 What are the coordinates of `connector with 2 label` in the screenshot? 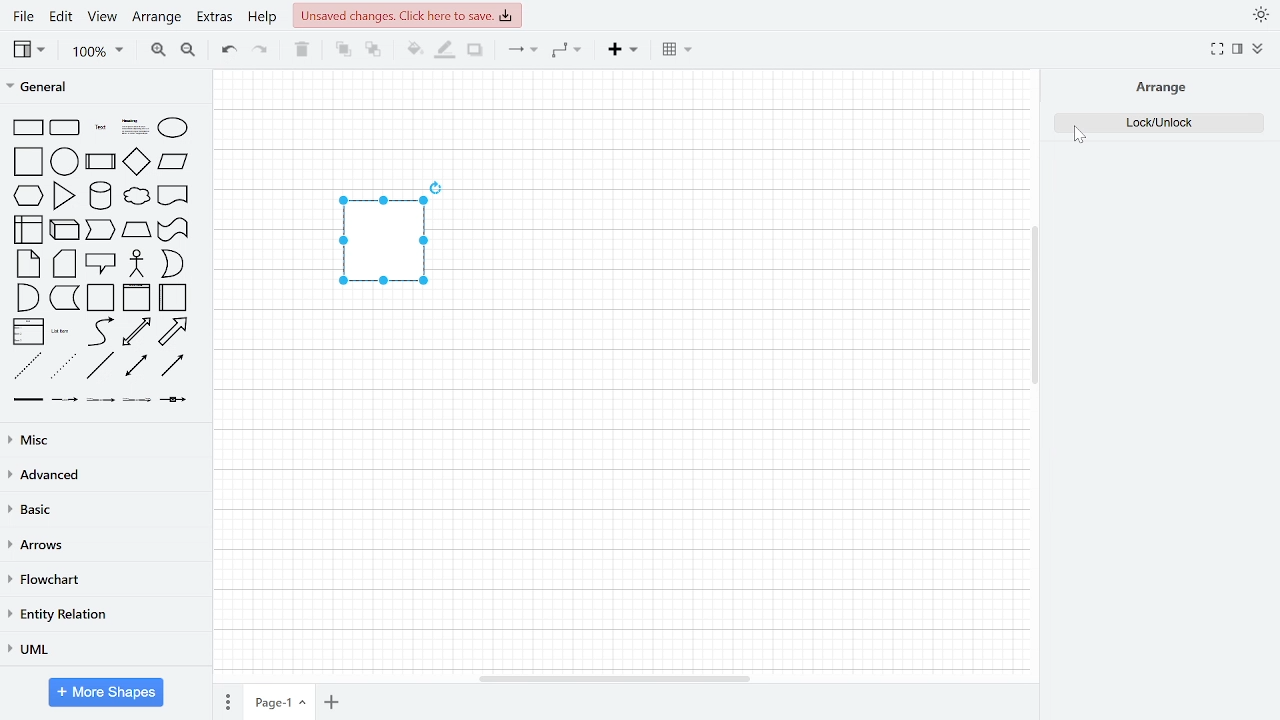 It's located at (102, 401).